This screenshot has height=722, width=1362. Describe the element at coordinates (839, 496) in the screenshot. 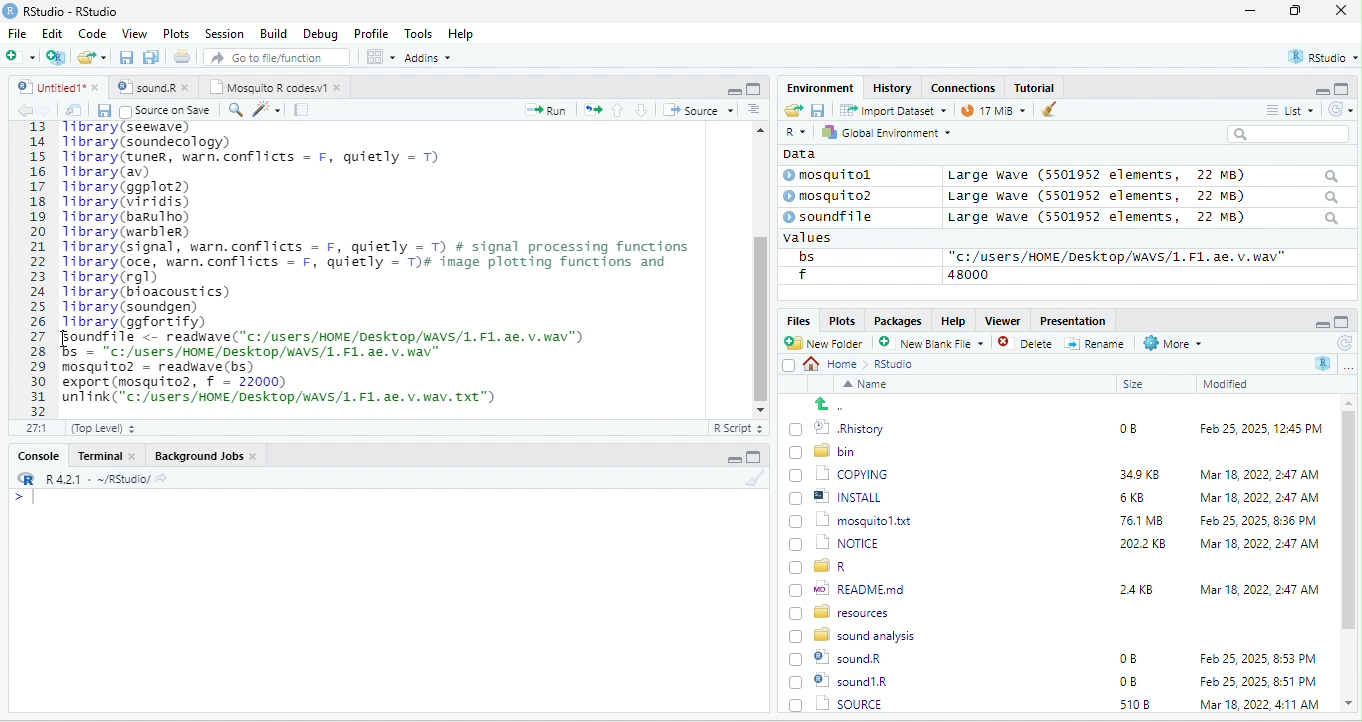

I see `| @] INSTALL` at that location.